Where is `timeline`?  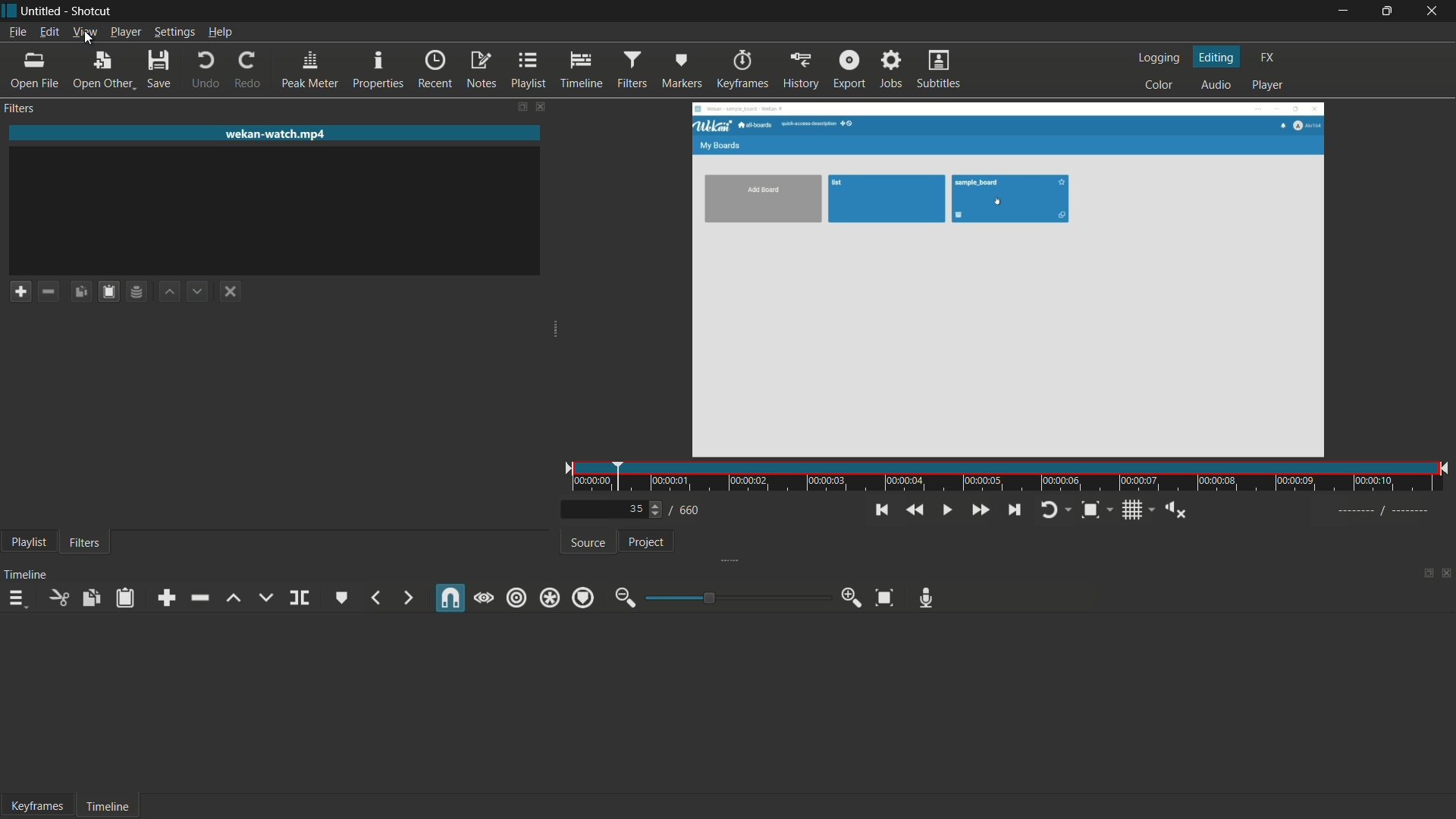 timeline is located at coordinates (28, 575).